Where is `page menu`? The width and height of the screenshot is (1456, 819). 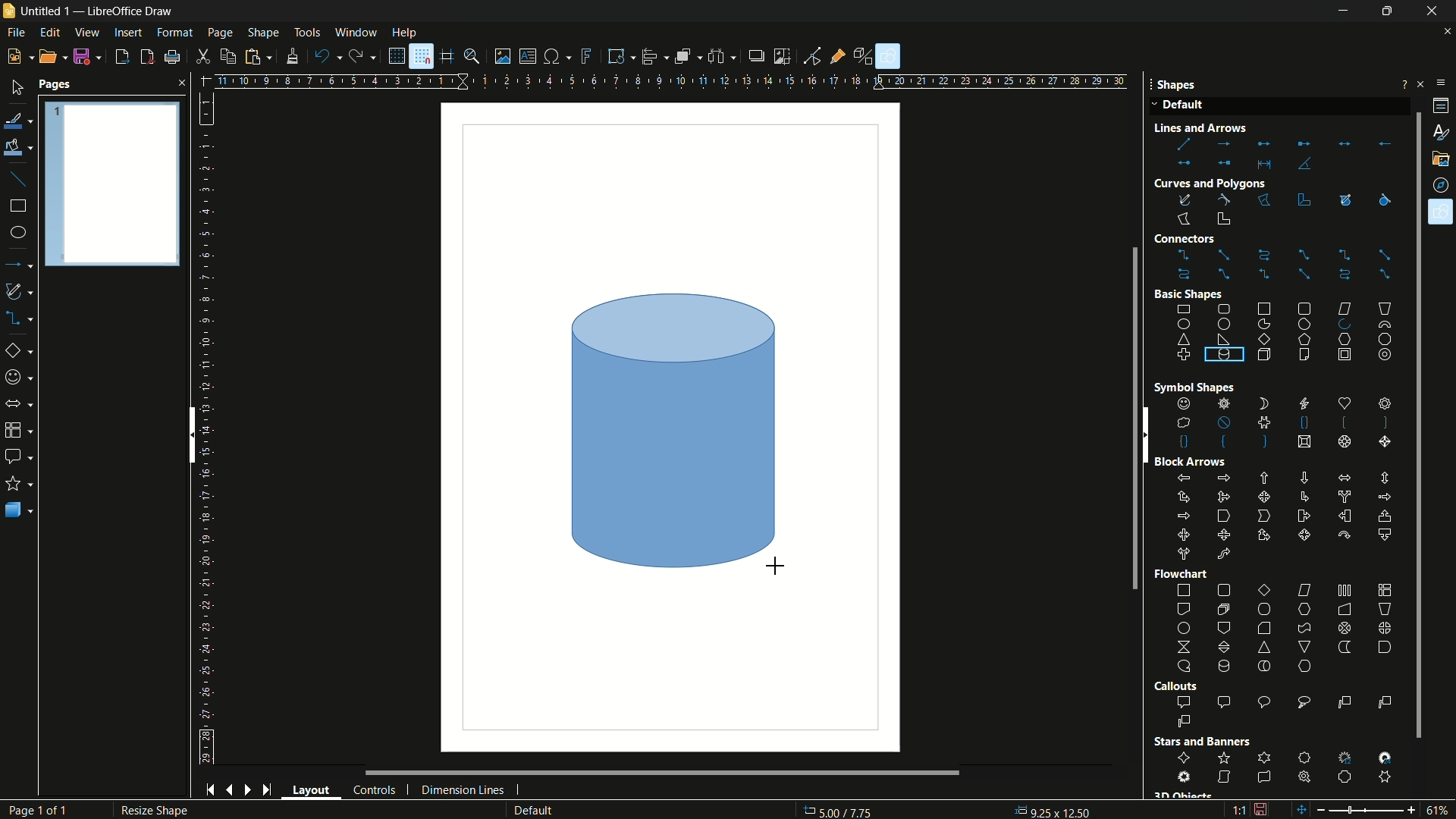 page menu is located at coordinates (221, 33).